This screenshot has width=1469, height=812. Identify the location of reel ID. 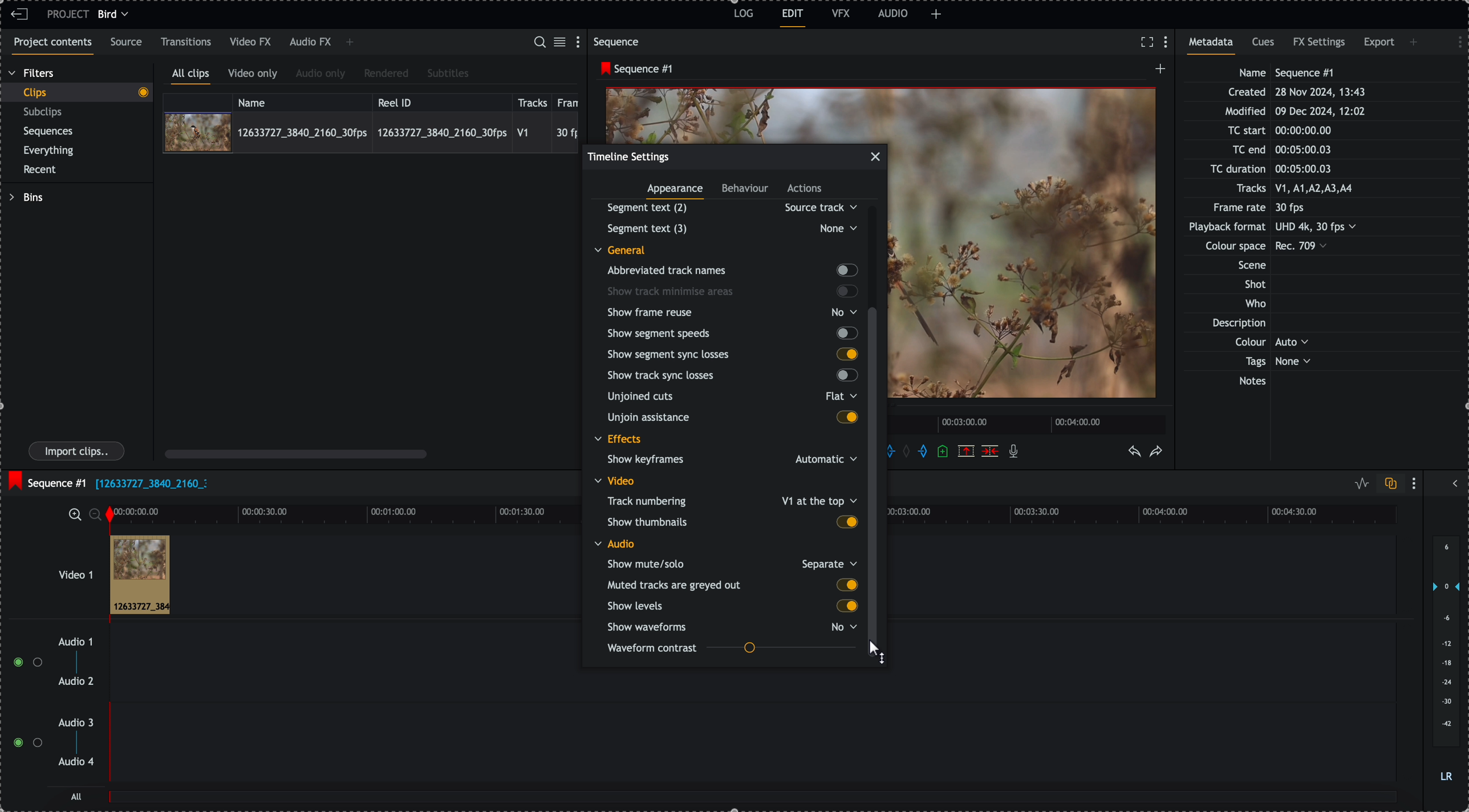
(441, 100).